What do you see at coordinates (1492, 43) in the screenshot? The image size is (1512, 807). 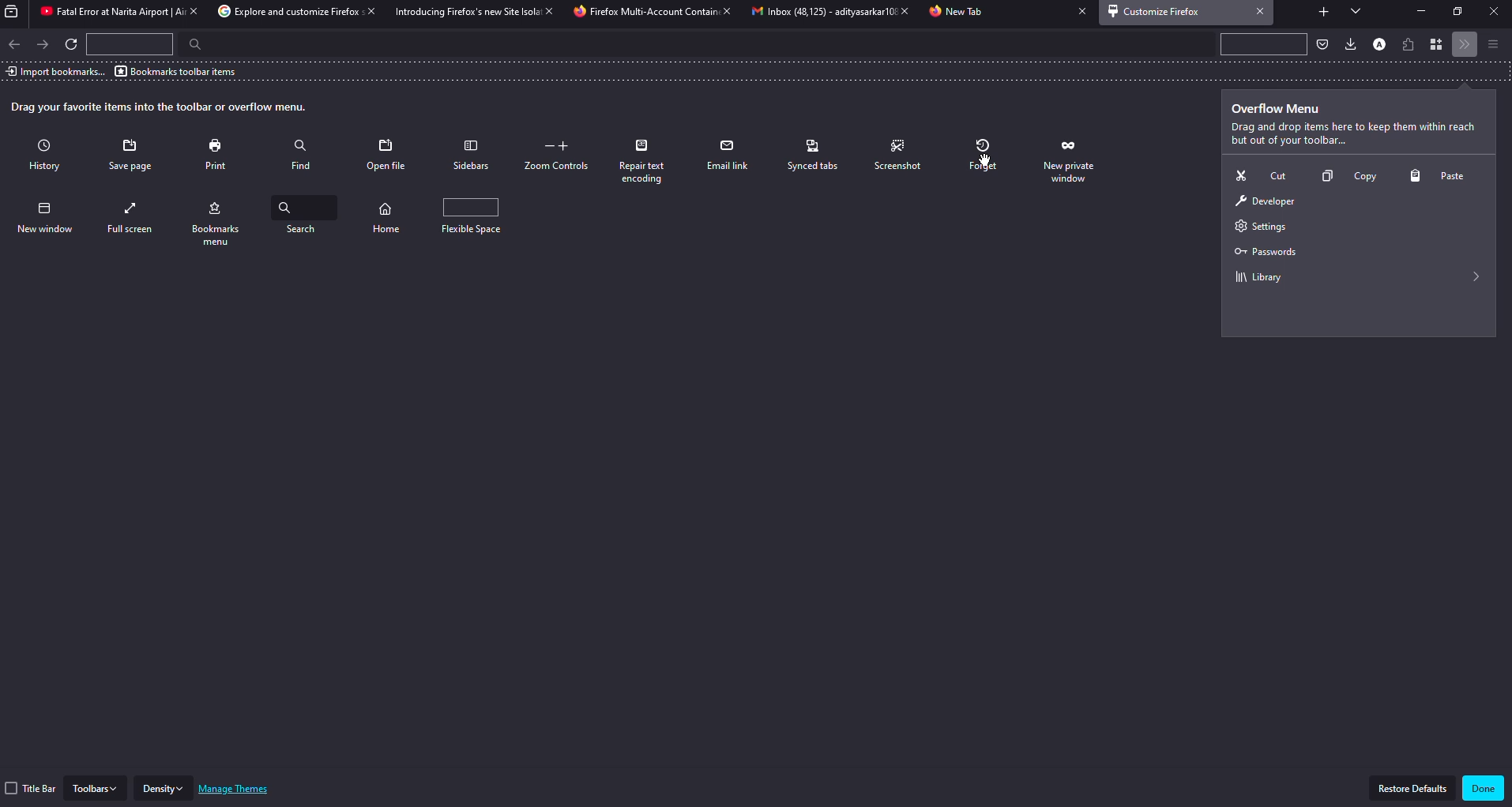 I see `menu` at bounding box center [1492, 43].